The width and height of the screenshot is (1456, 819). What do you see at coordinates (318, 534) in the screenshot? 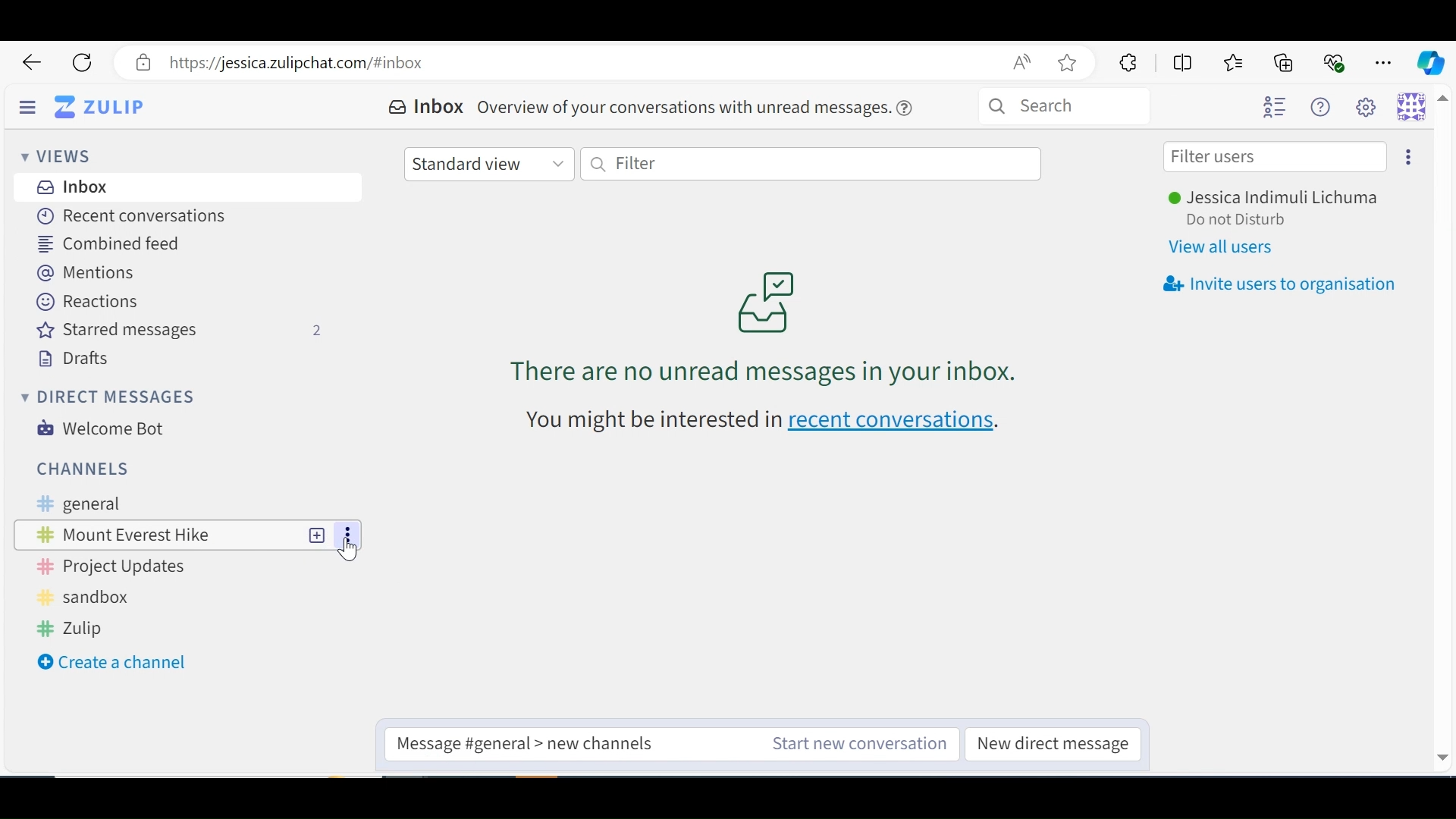
I see `New Topic` at bounding box center [318, 534].